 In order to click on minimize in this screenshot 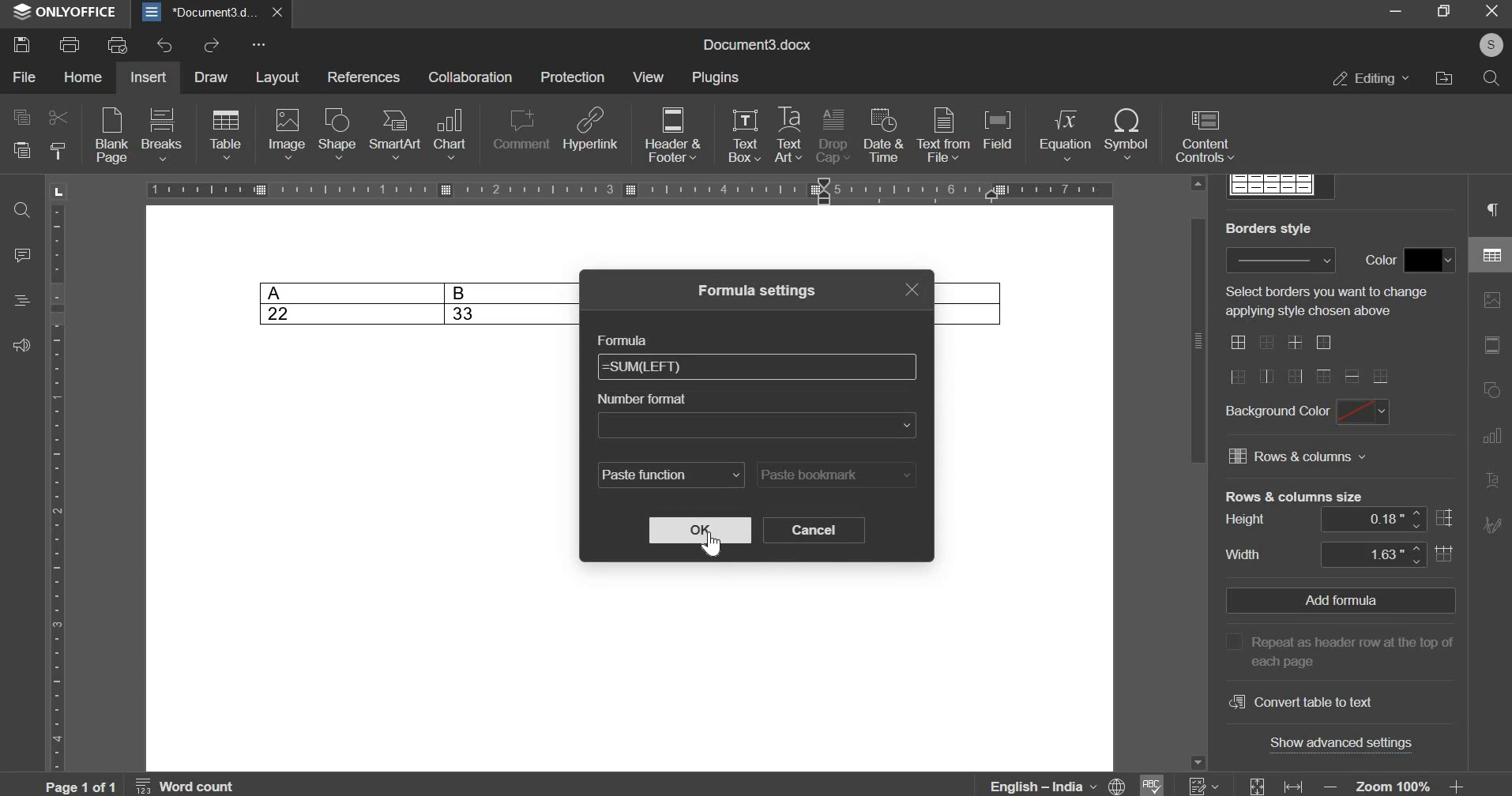, I will do `click(1394, 13)`.